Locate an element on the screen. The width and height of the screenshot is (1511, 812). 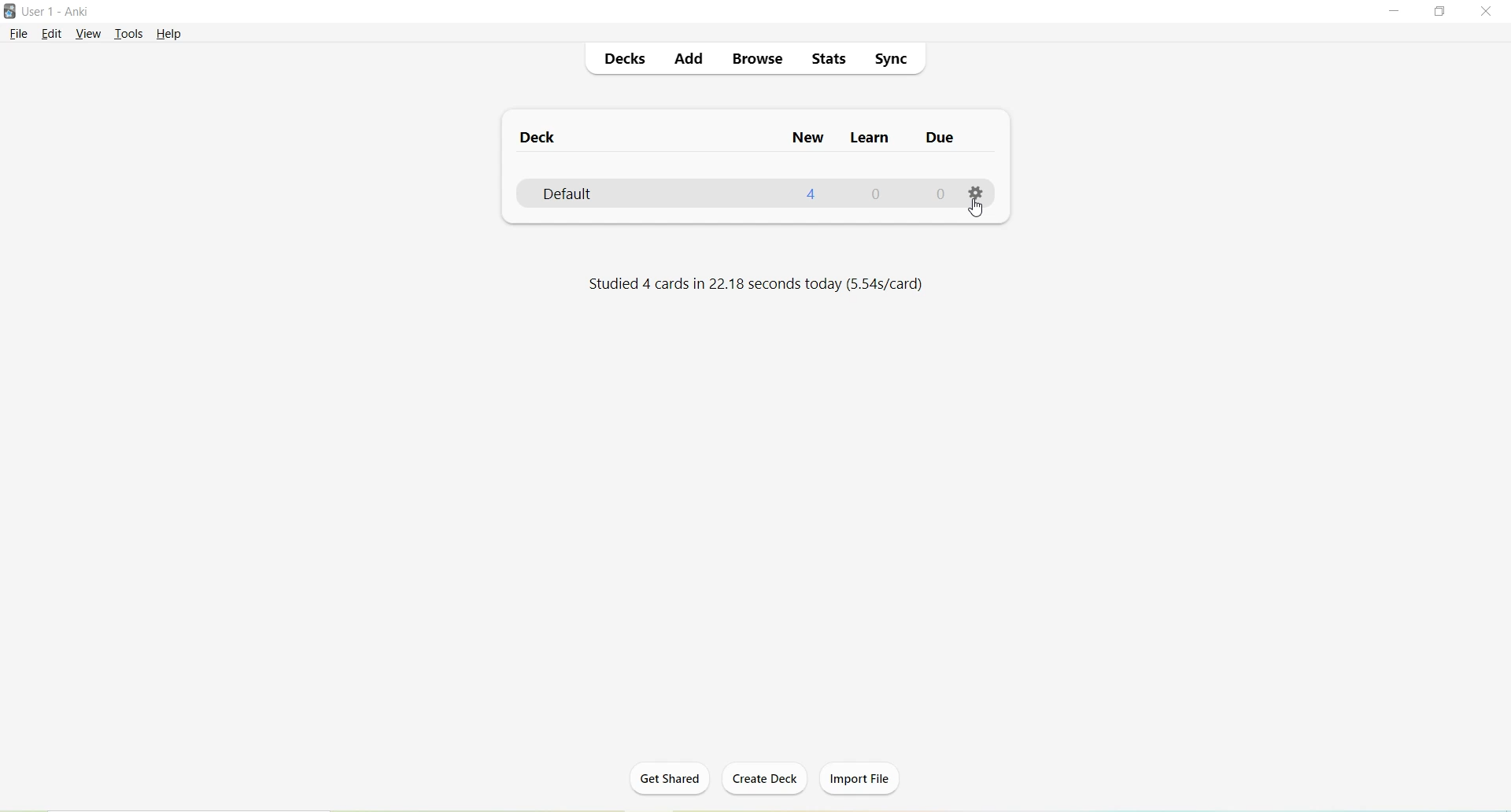
Add is located at coordinates (689, 60).